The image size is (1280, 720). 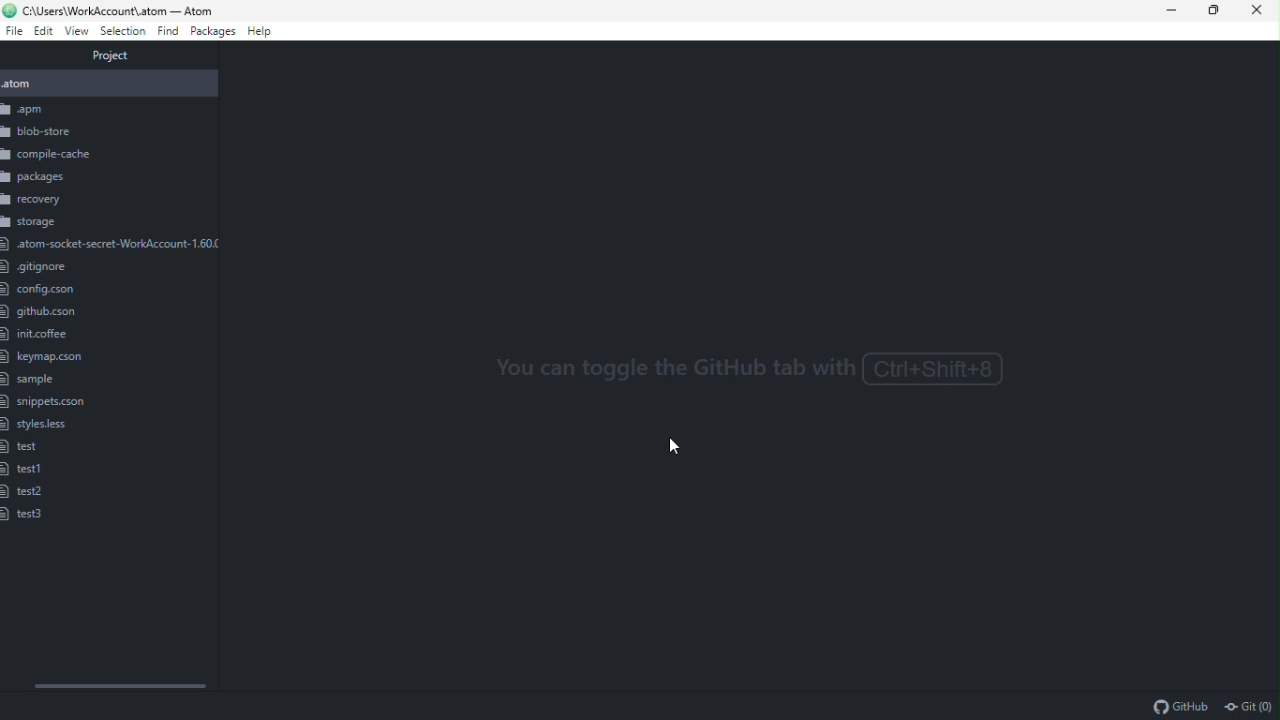 I want to click on file, so click(x=14, y=31).